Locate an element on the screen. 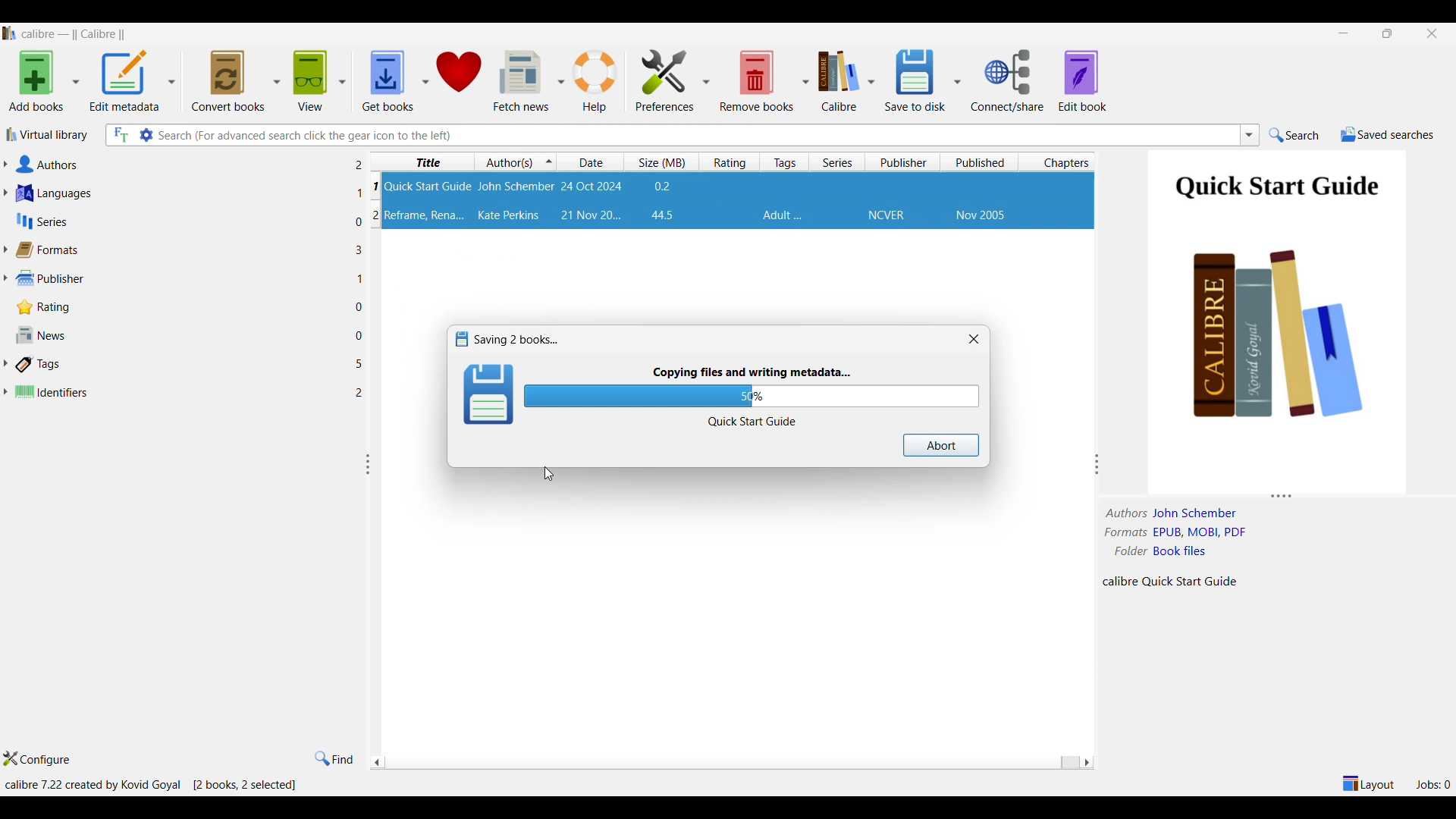 Image resolution: width=1456 pixels, height=819 pixels. Software and library information is located at coordinates (152, 784).